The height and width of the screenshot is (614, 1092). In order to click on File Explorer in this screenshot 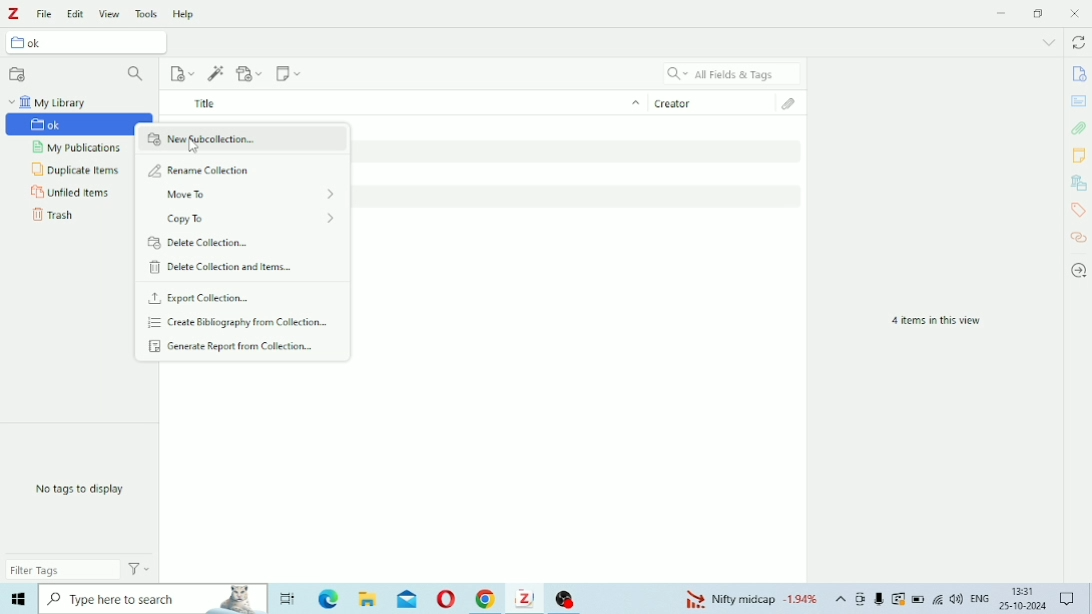, I will do `click(370, 599)`.